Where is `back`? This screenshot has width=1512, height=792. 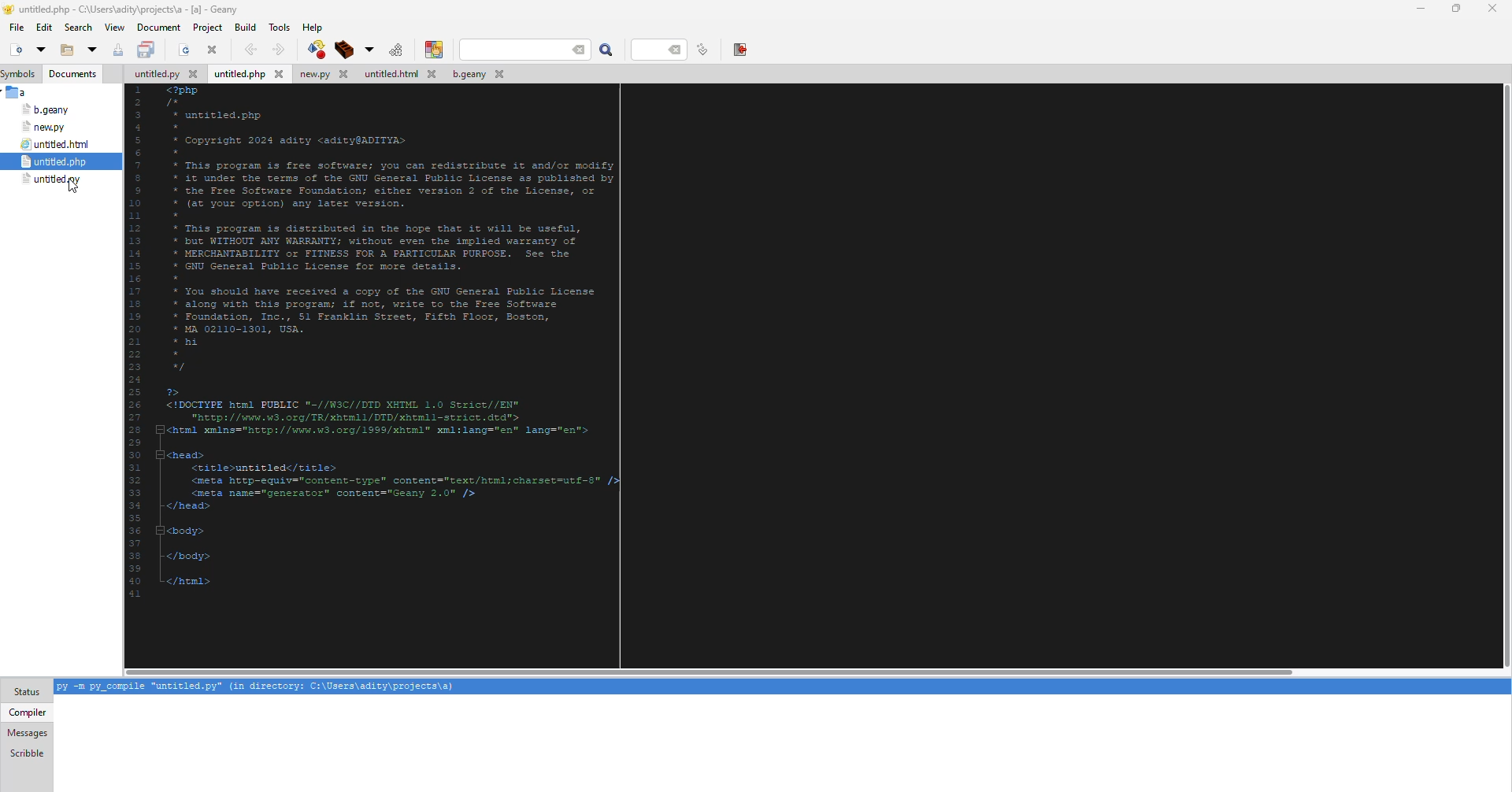
back is located at coordinates (252, 48).